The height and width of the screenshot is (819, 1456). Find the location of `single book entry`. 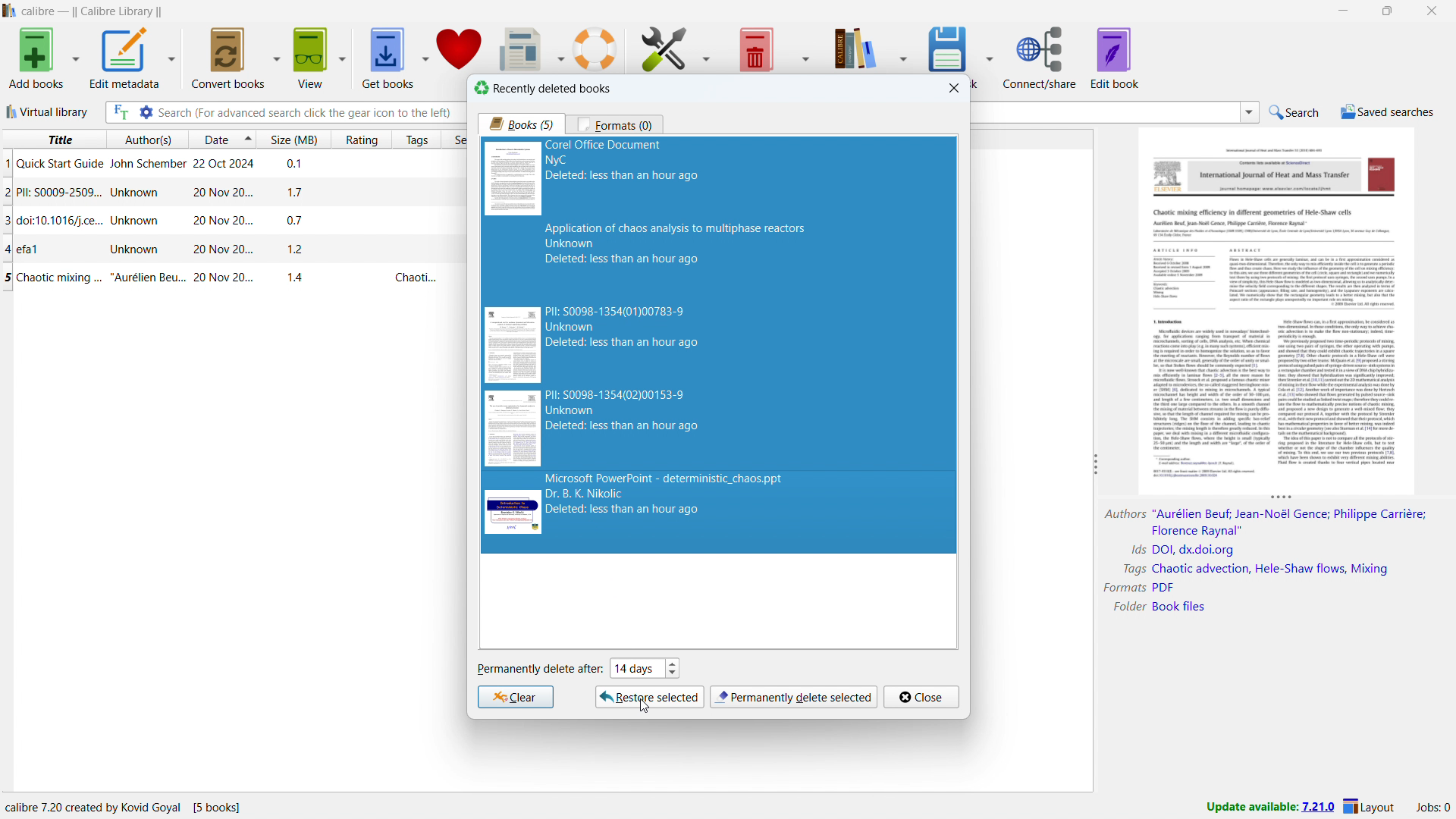

single book entry is located at coordinates (224, 278).